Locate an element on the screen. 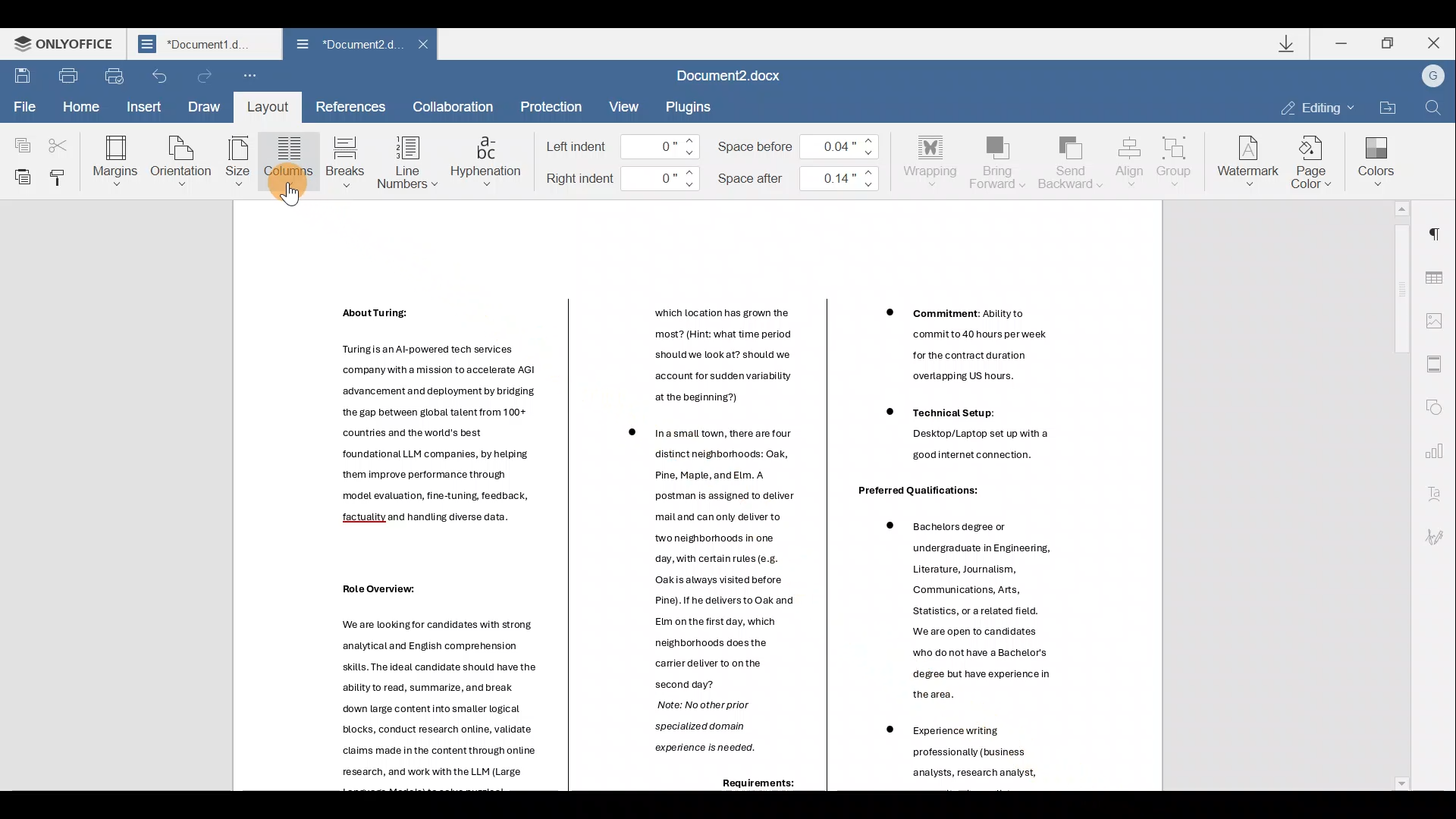   is located at coordinates (959, 752).